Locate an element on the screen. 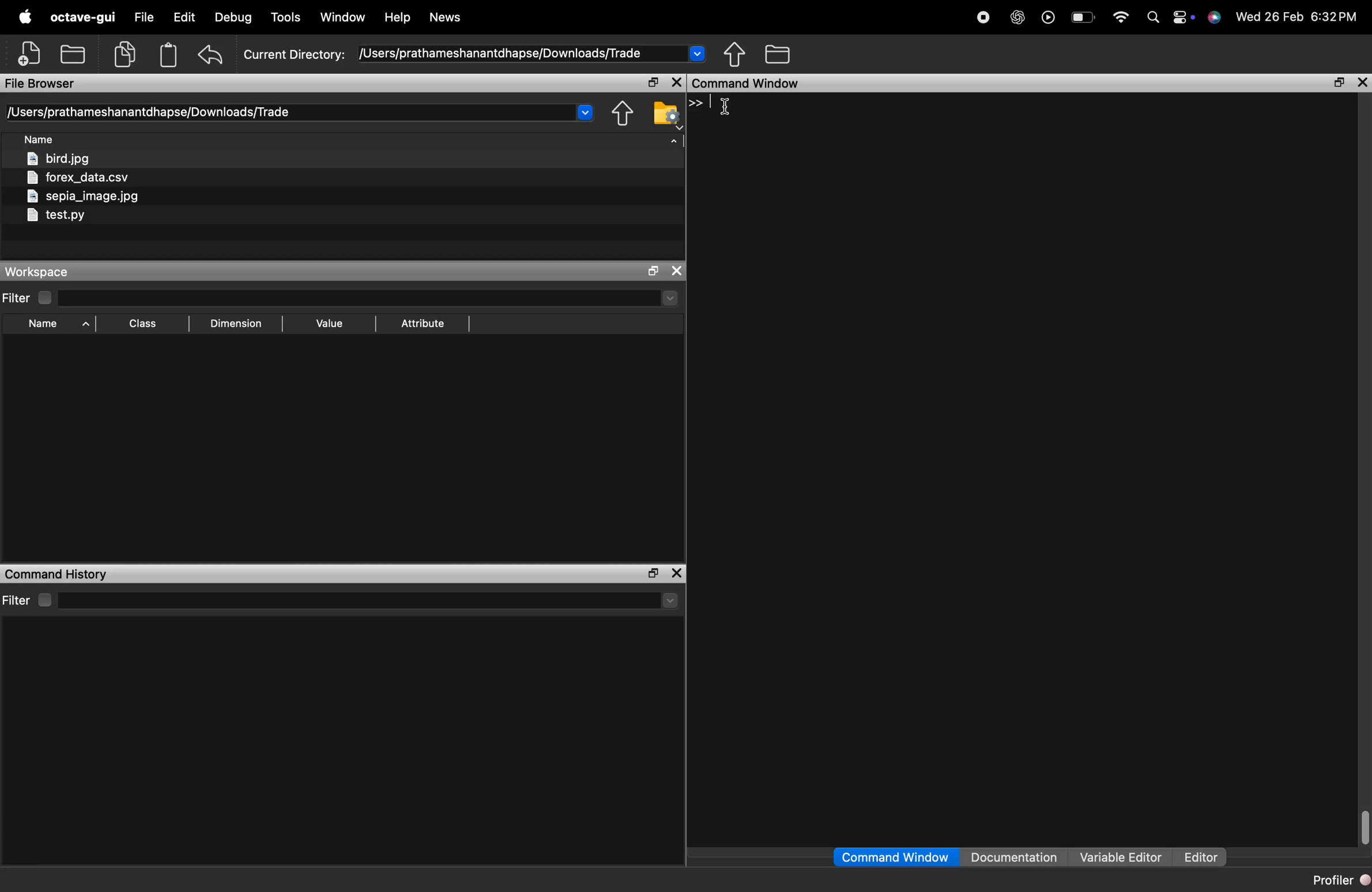 The image size is (1372, 892). search is located at coordinates (1152, 17).